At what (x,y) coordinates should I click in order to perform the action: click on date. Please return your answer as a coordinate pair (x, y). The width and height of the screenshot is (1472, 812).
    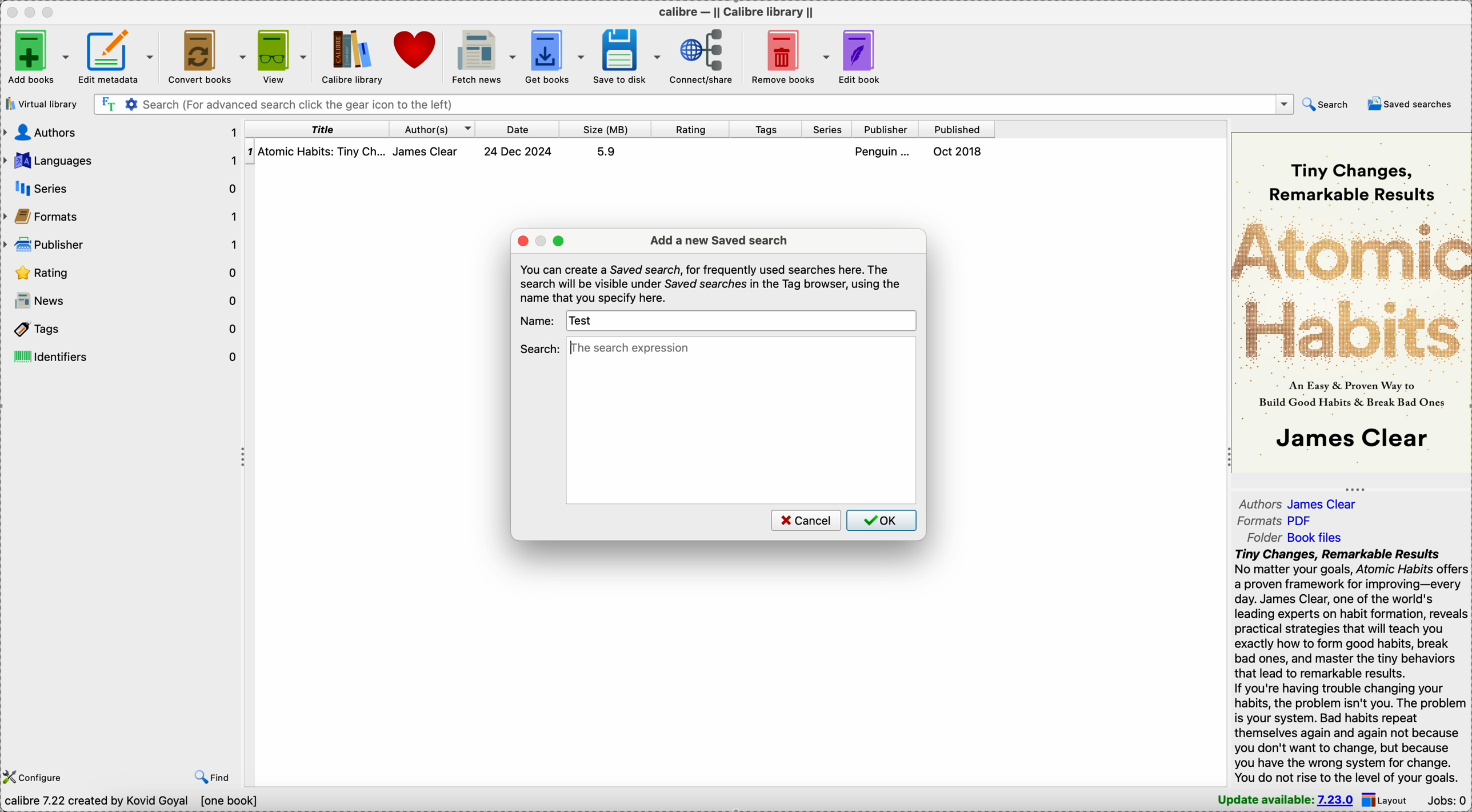
    Looking at the image, I should click on (518, 129).